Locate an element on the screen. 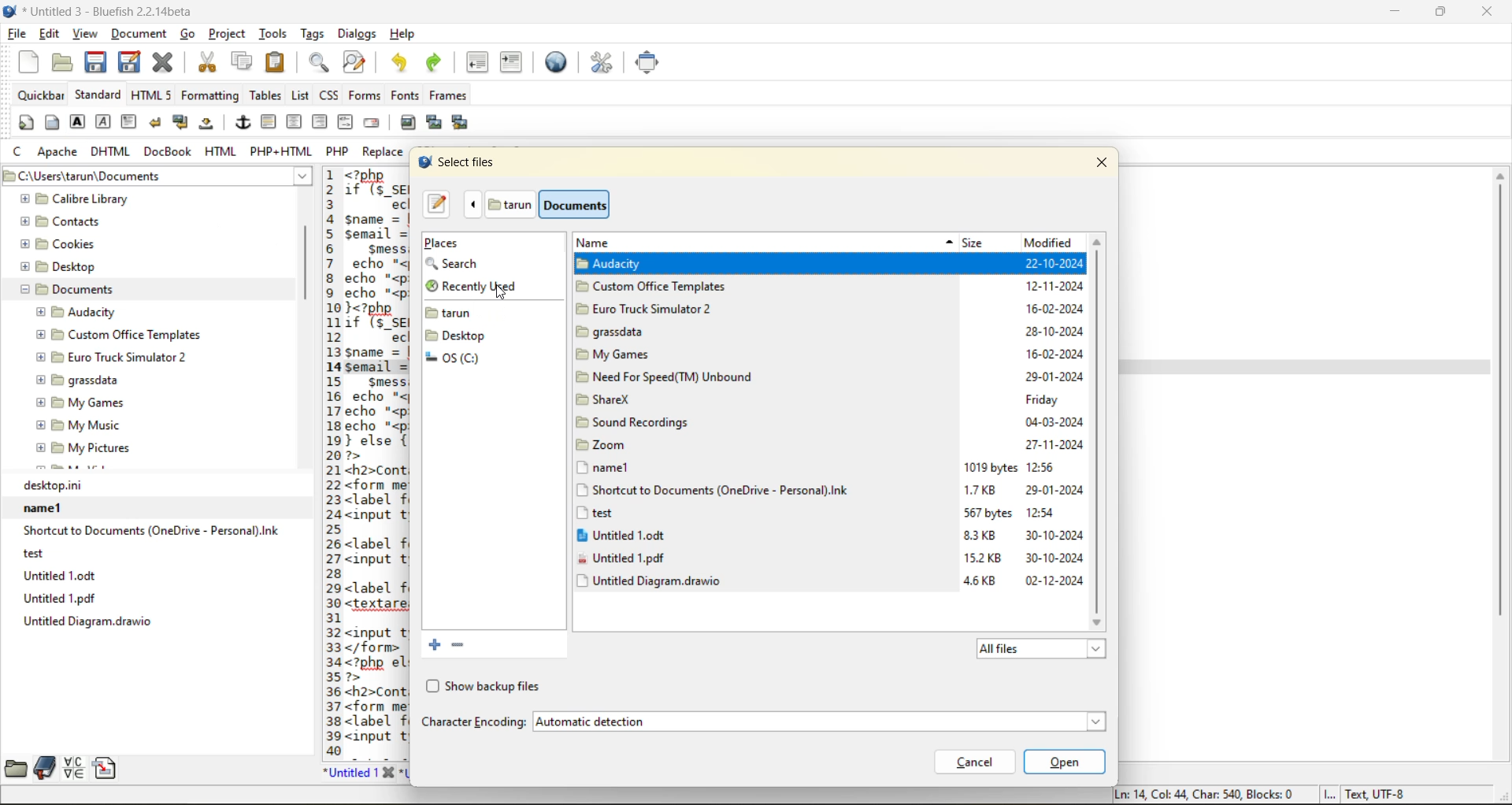 The height and width of the screenshot is (805, 1512). quickstart is located at coordinates (24, 124).